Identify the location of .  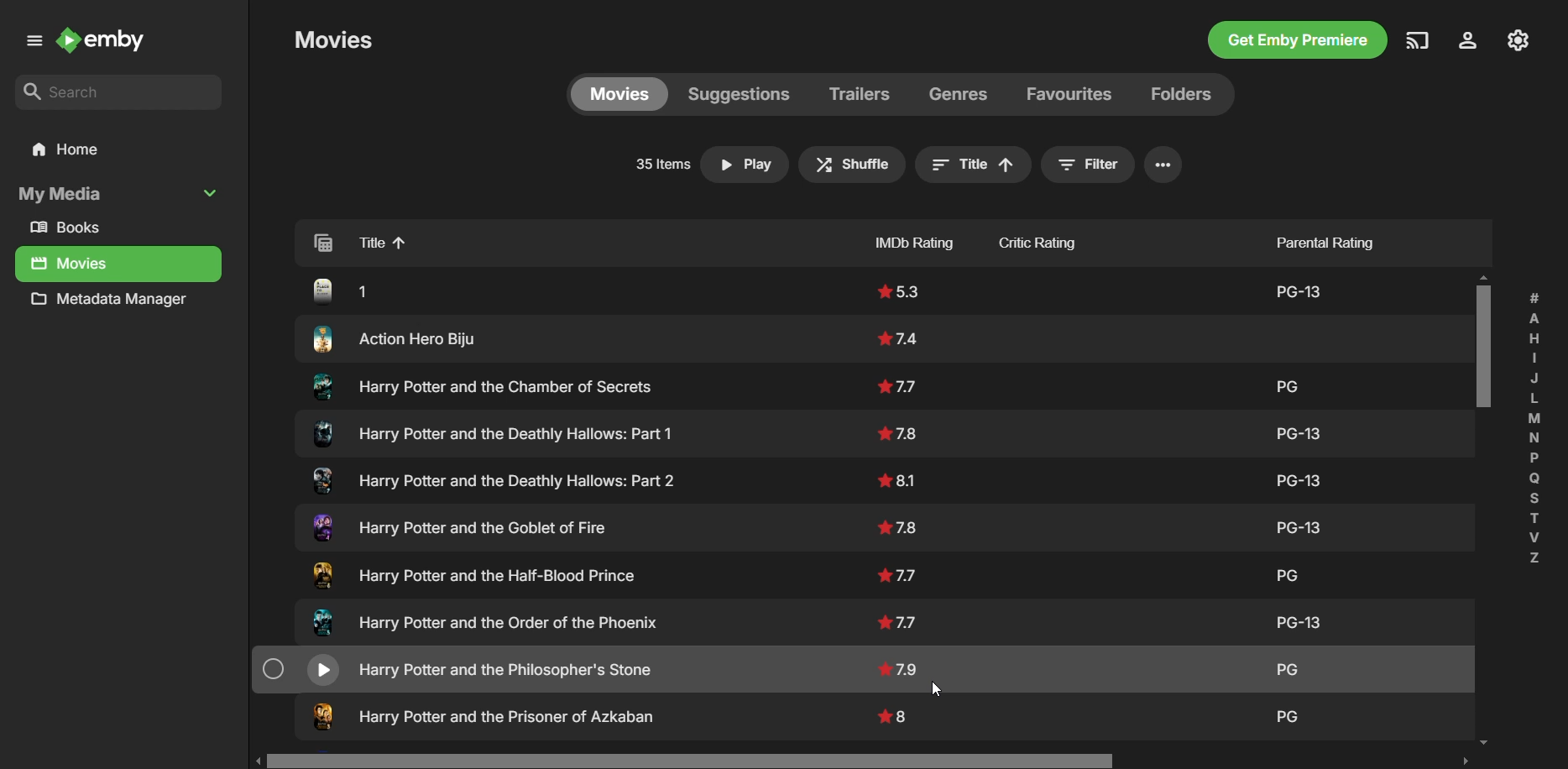
(64, 193).